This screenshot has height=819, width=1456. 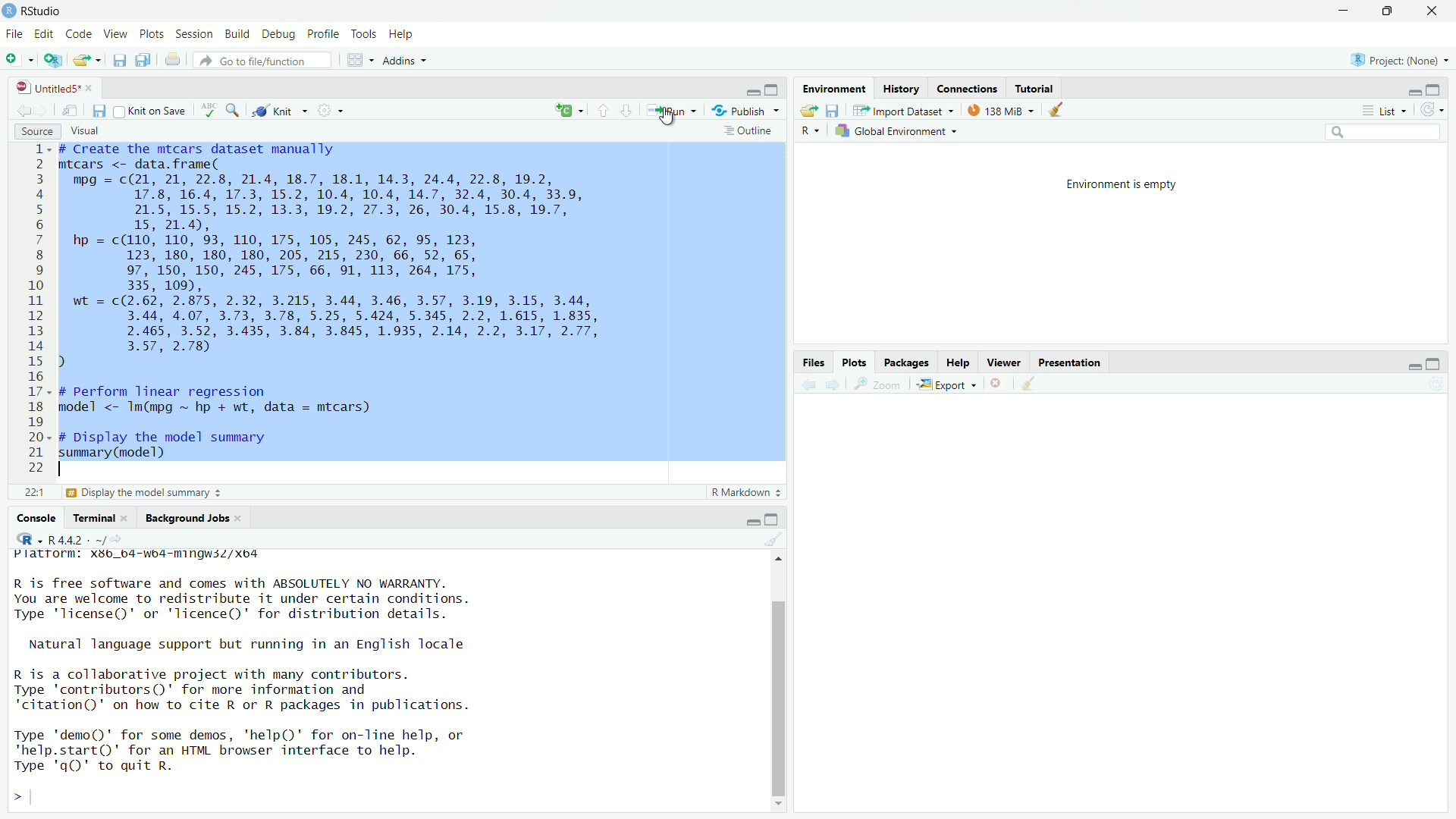 I want to click on settings, so click(x=329, y=109).